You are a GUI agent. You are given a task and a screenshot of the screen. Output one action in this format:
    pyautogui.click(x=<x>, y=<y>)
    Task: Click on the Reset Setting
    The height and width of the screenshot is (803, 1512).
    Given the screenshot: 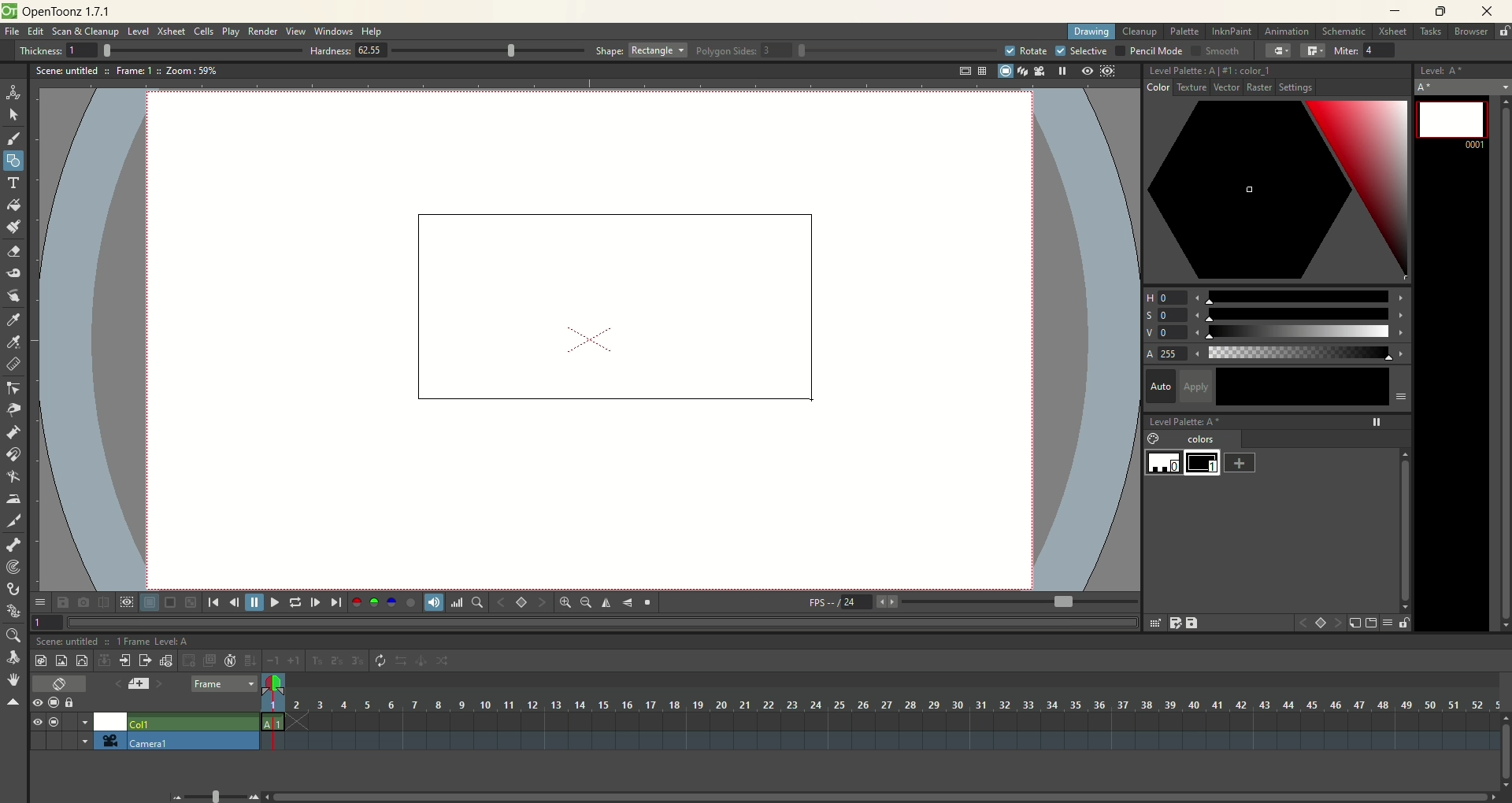 What is the action you would take?
    pyautogui.click(x=1290, y=90)
    